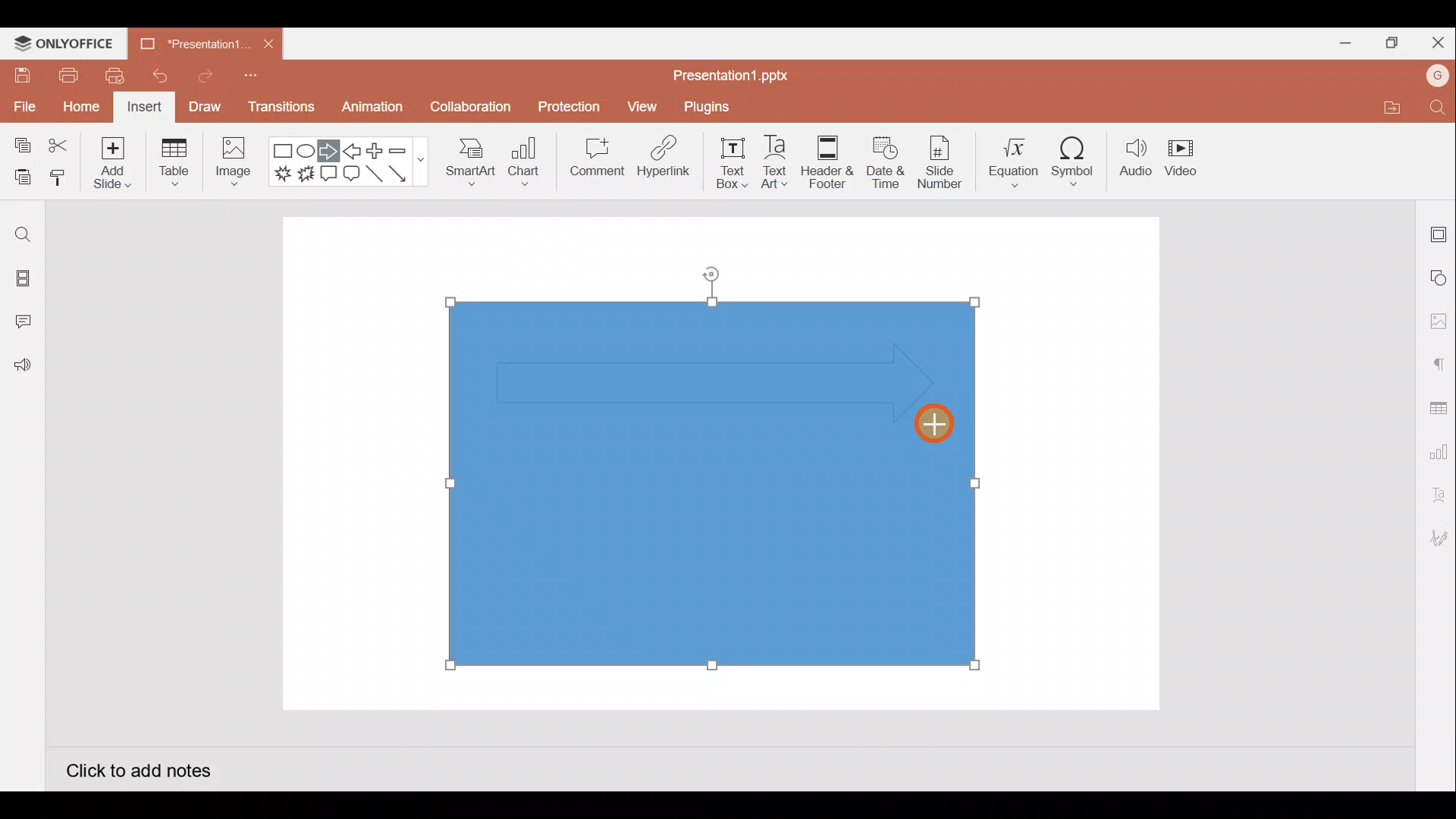  What do you see at coordinates (1435, 39) in the screenshot?
I see `Close` at bounding box center [1435, 39].